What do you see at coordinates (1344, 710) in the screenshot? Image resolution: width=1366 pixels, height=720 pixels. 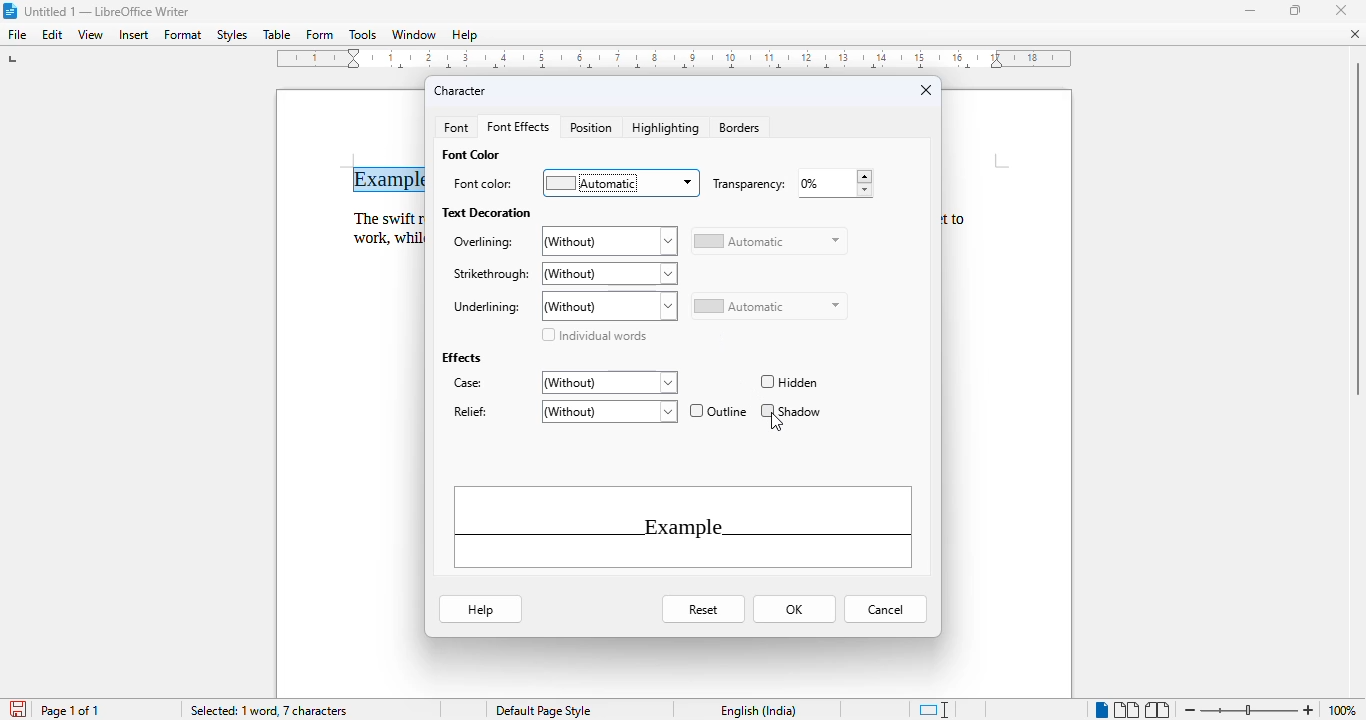 I see `100% (zoom level)` at bounding box center [1344, 710].